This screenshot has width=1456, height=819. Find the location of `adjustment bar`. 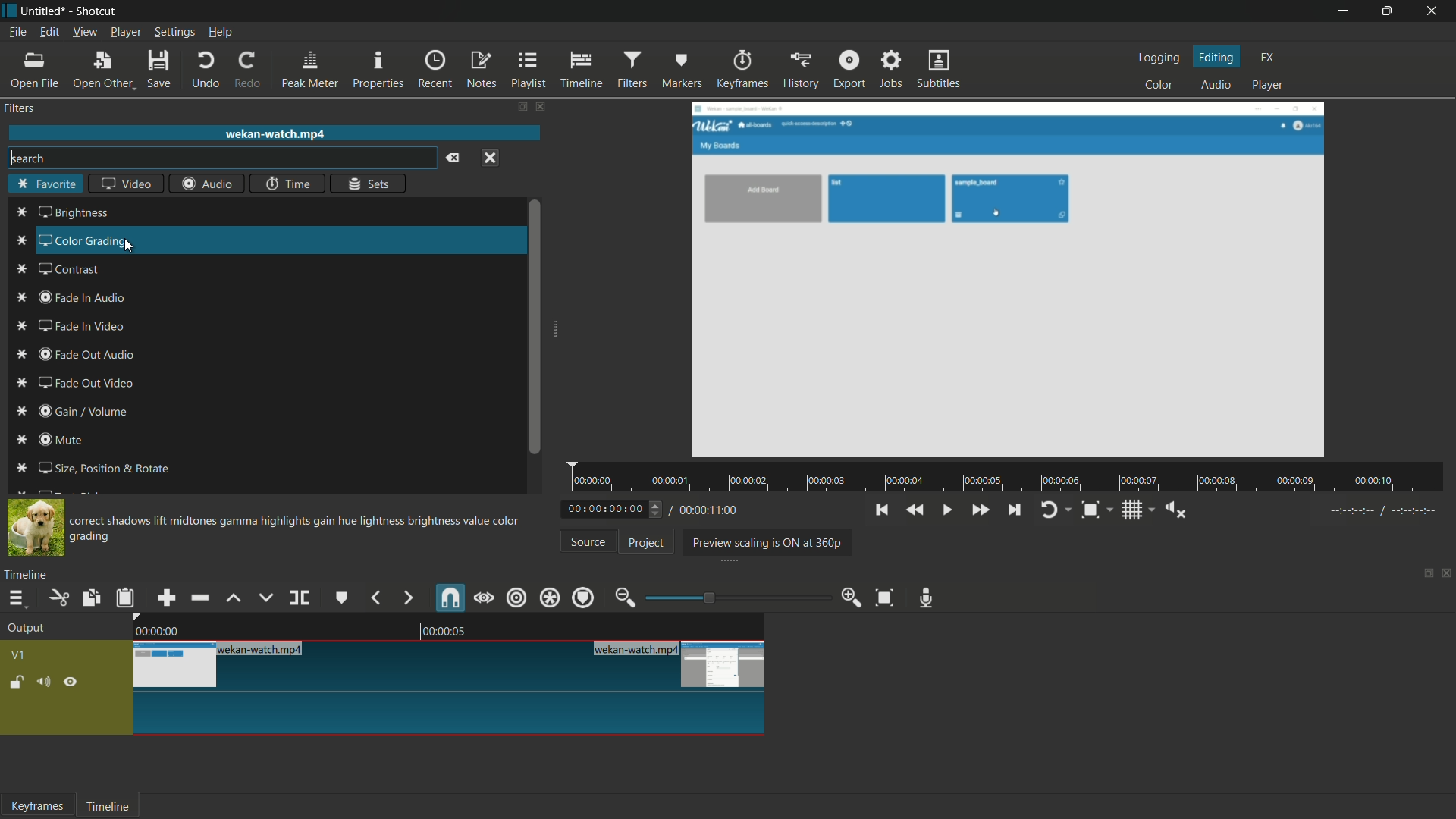

adjustment bar is located at coordinates (732, 598).